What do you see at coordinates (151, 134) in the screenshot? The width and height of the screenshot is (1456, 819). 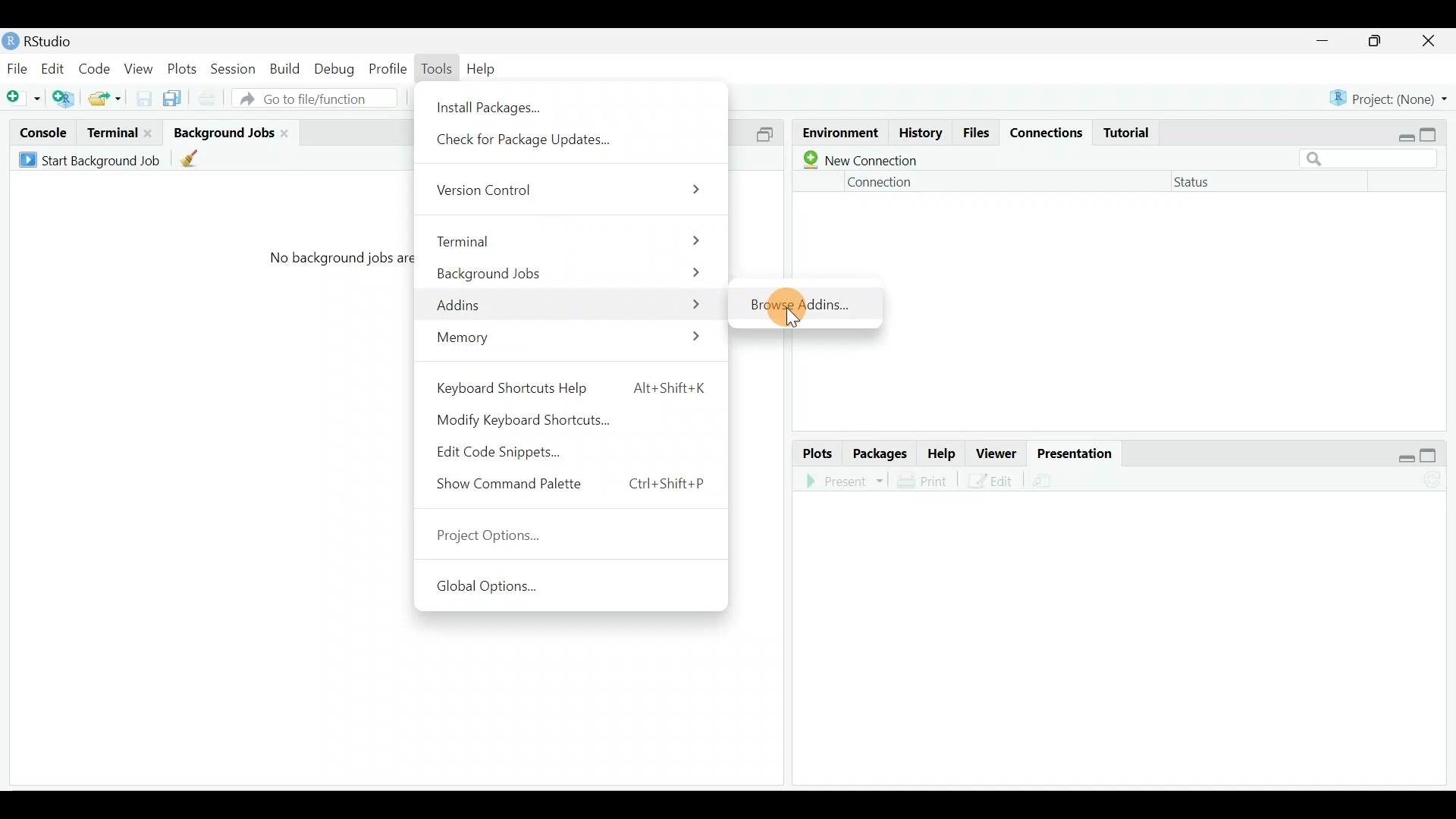 I see `close terminal` at bounding box center [151, 134].